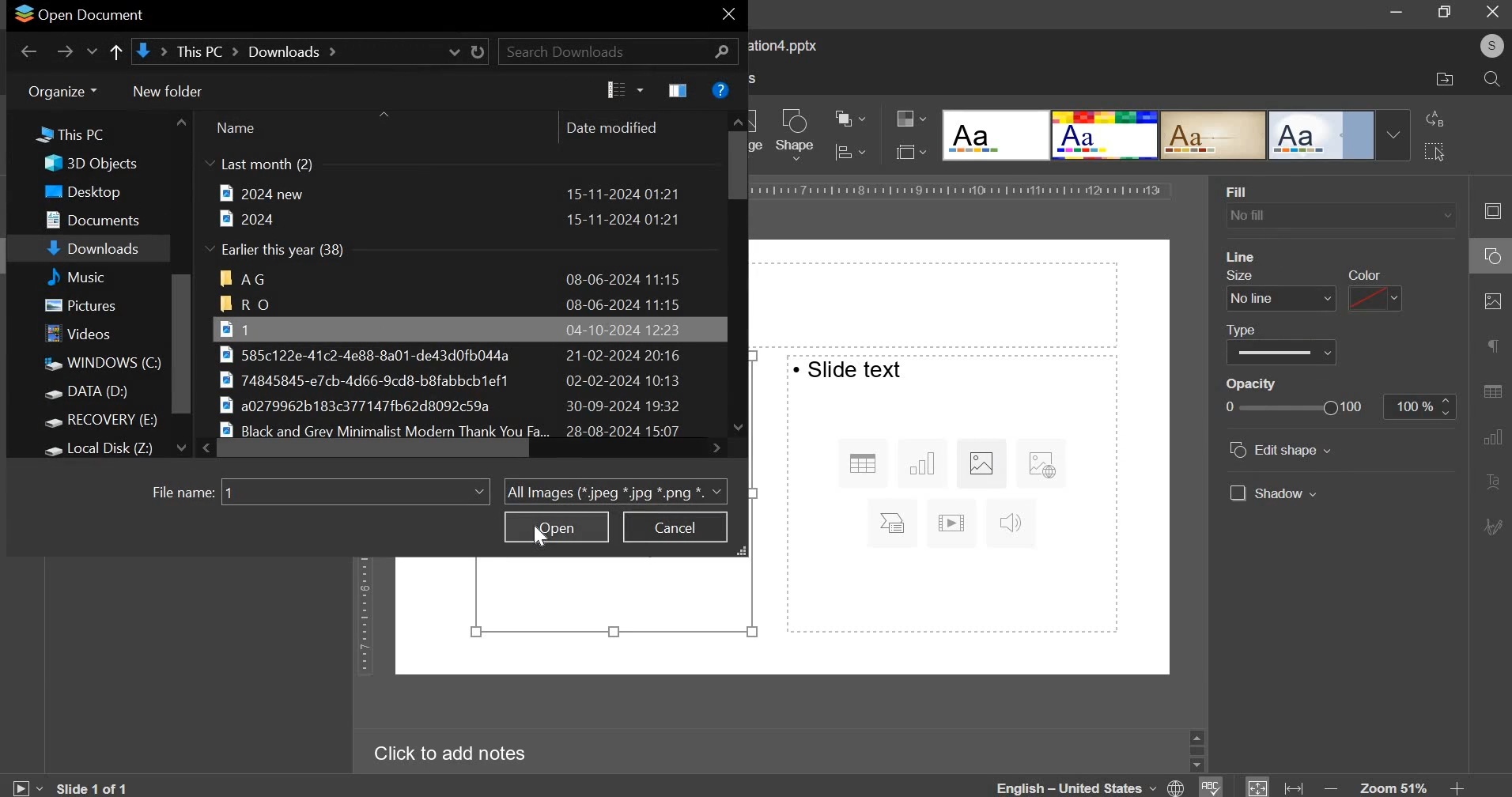 The height and width of the screenshot is (797, 1512). I want to click on table setting, so click(1491, 387).